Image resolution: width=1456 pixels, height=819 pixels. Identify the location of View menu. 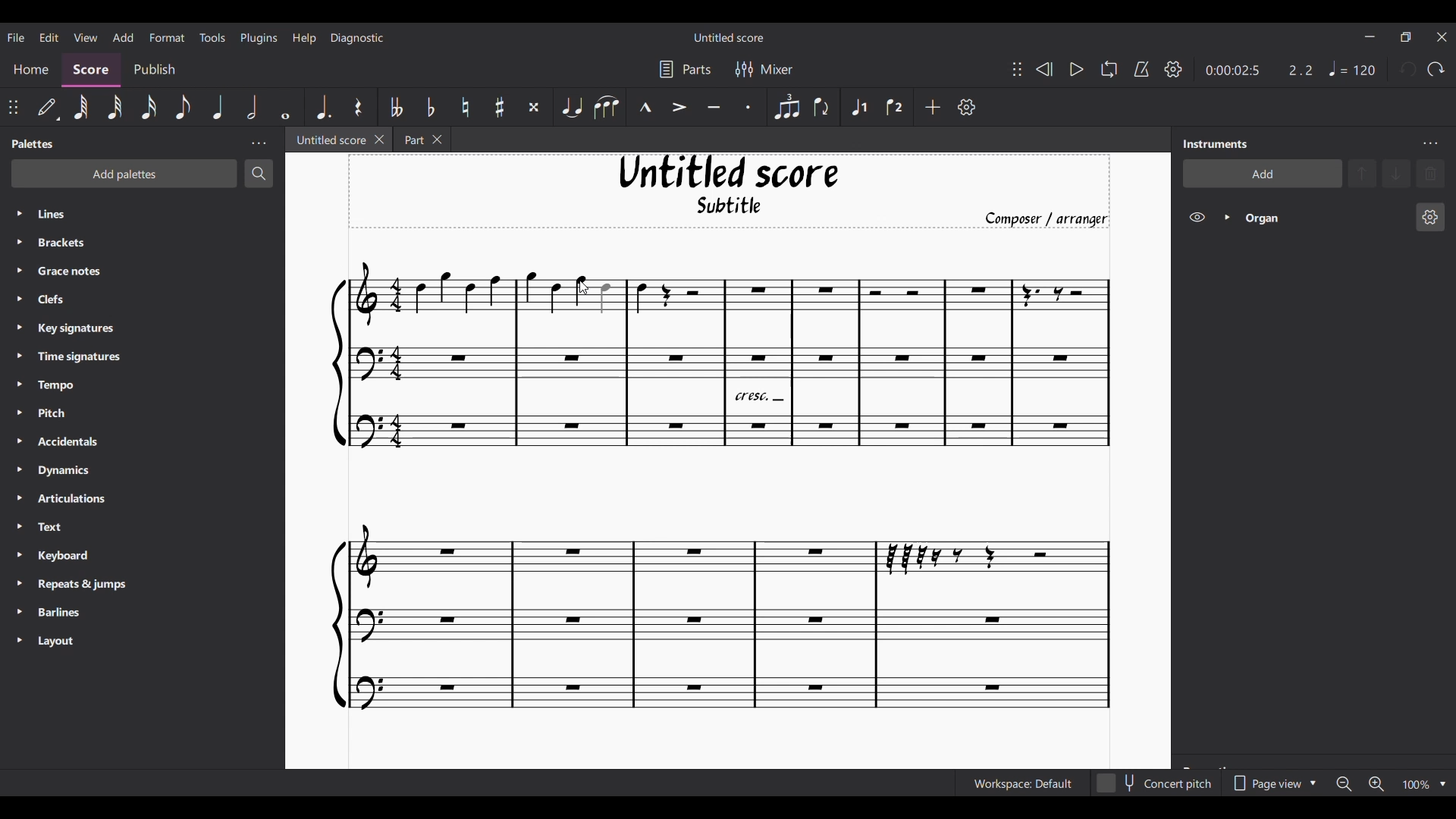
(85, 36).